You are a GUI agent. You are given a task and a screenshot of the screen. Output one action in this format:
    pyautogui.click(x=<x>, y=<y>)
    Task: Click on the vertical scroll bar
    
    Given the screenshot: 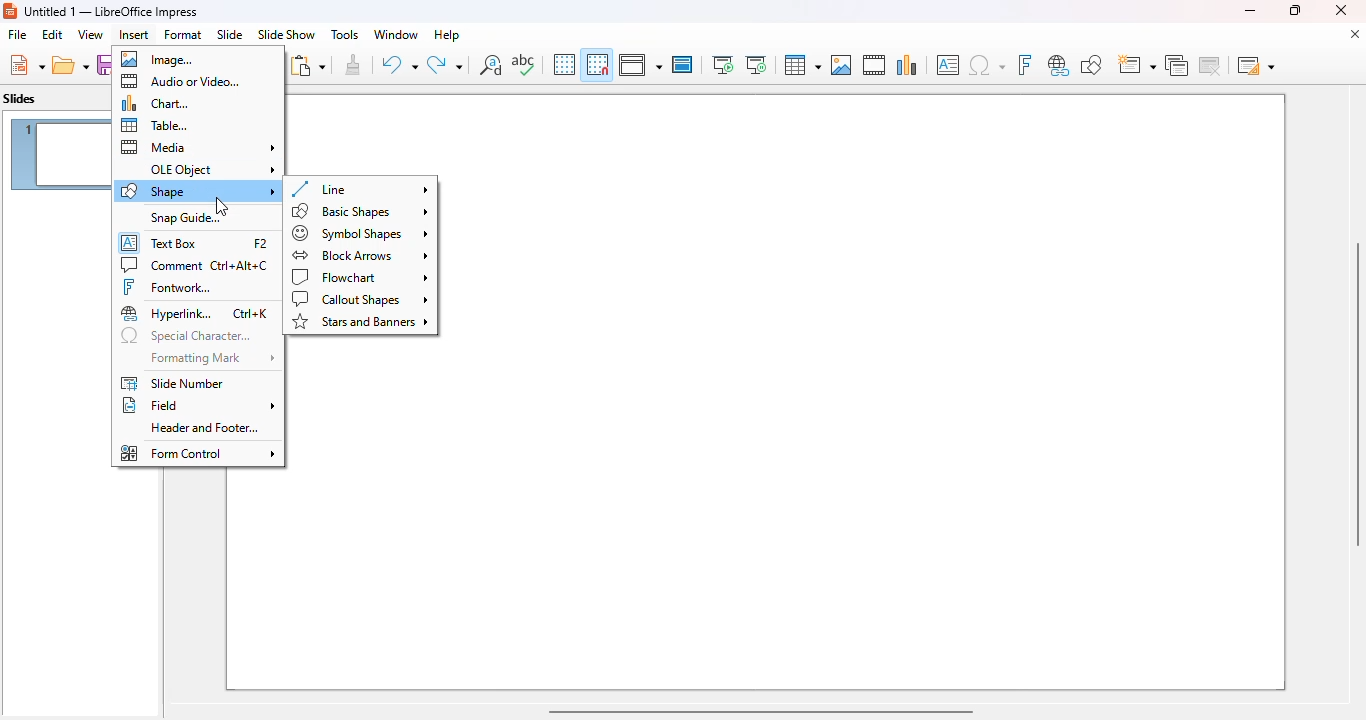 What is the action you would take?
    pyautogui.click(x=1354, y=394)
    